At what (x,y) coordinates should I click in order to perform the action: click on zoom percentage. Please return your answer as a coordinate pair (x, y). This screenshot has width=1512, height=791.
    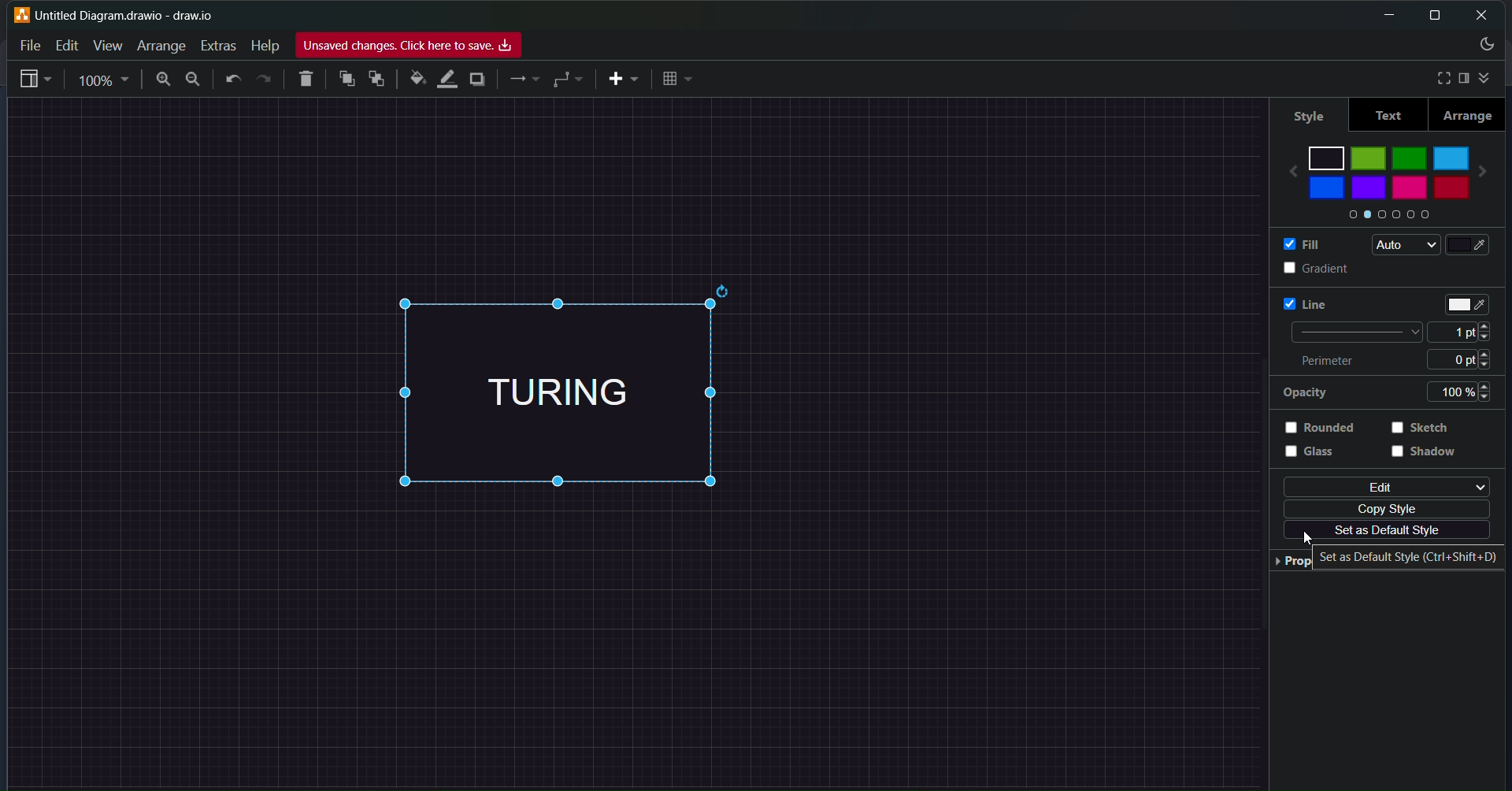
    Looking at the image, I should click on (106, 80).